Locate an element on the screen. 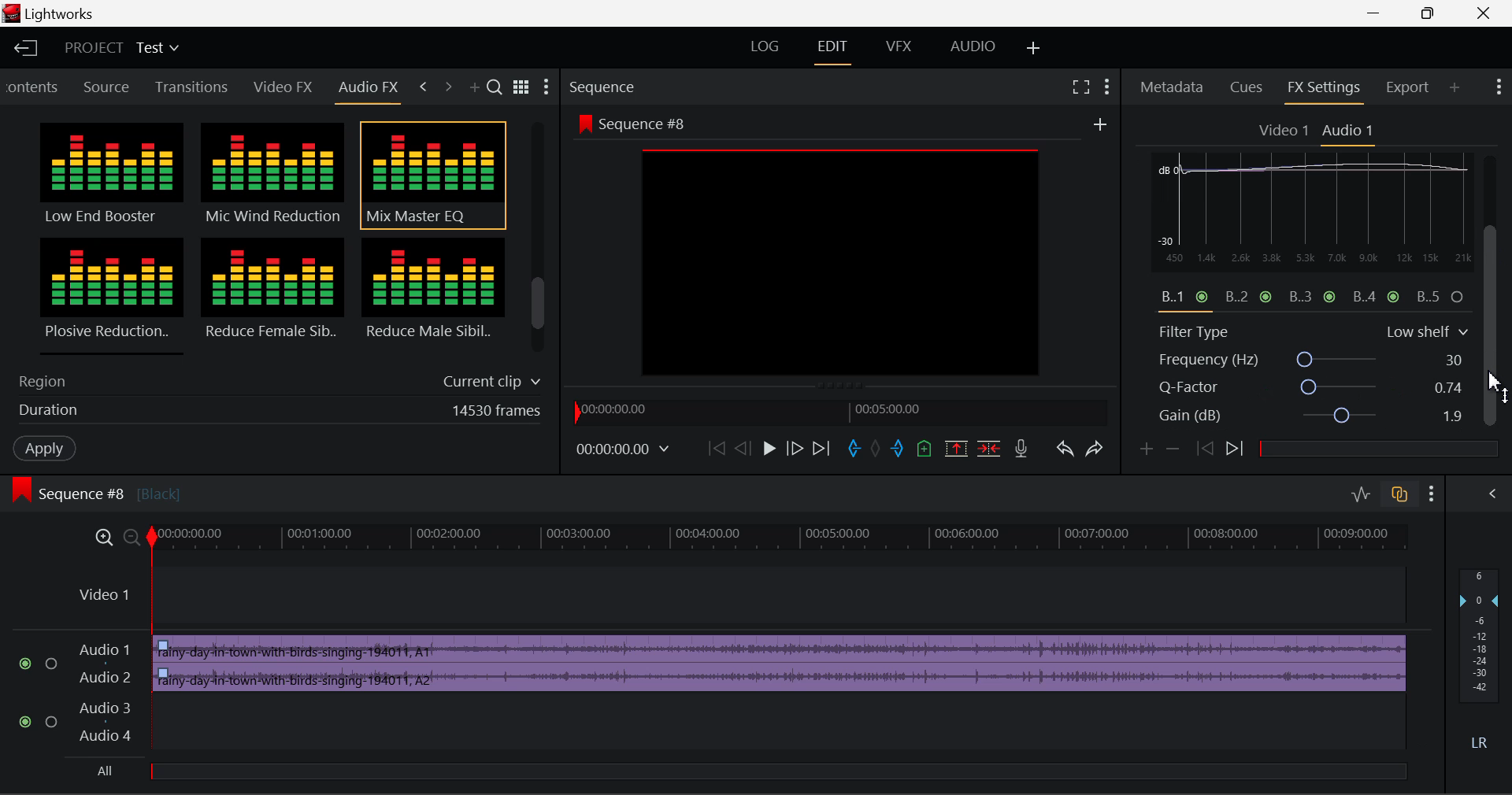 The height and width of the screenshot is (795, 1512). Back to Homepage is located at coordinates (24, 48).